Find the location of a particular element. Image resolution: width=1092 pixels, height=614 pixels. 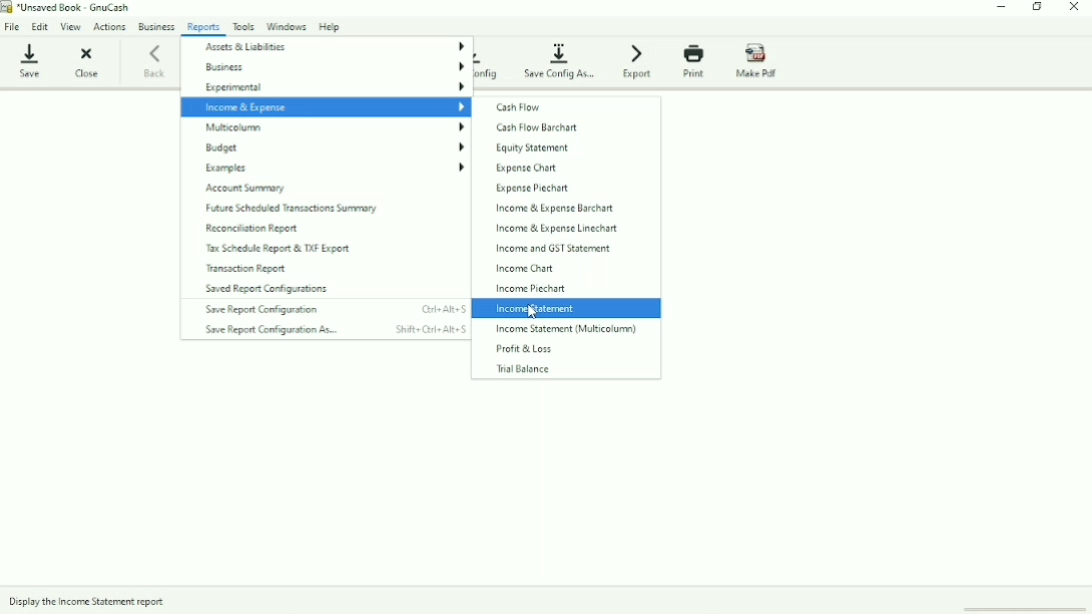

Income Statement (Multicolumn) is located at coordinates (566, 329).